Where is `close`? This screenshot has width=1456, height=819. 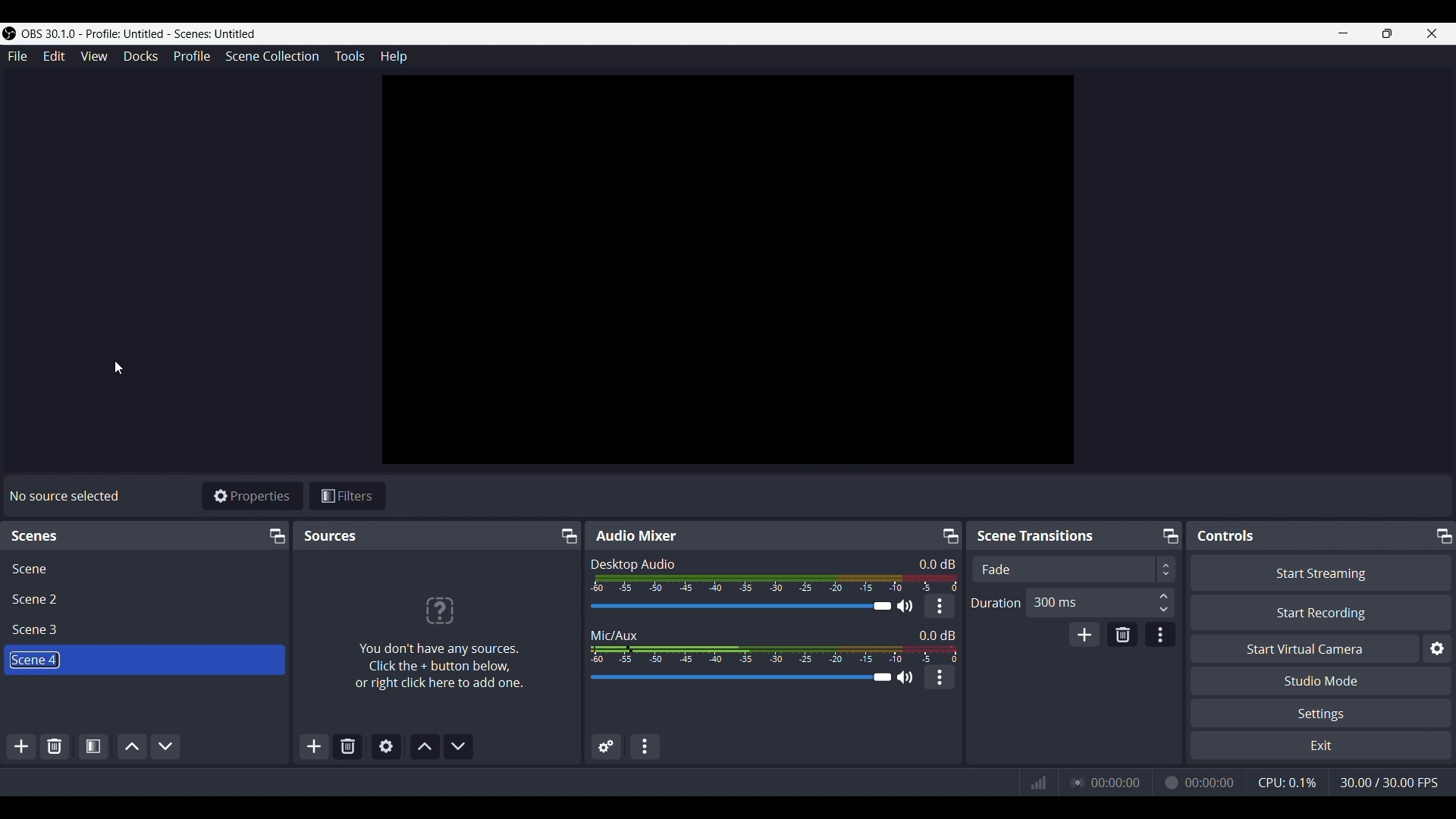 close is located at coordinates (1432, 33).